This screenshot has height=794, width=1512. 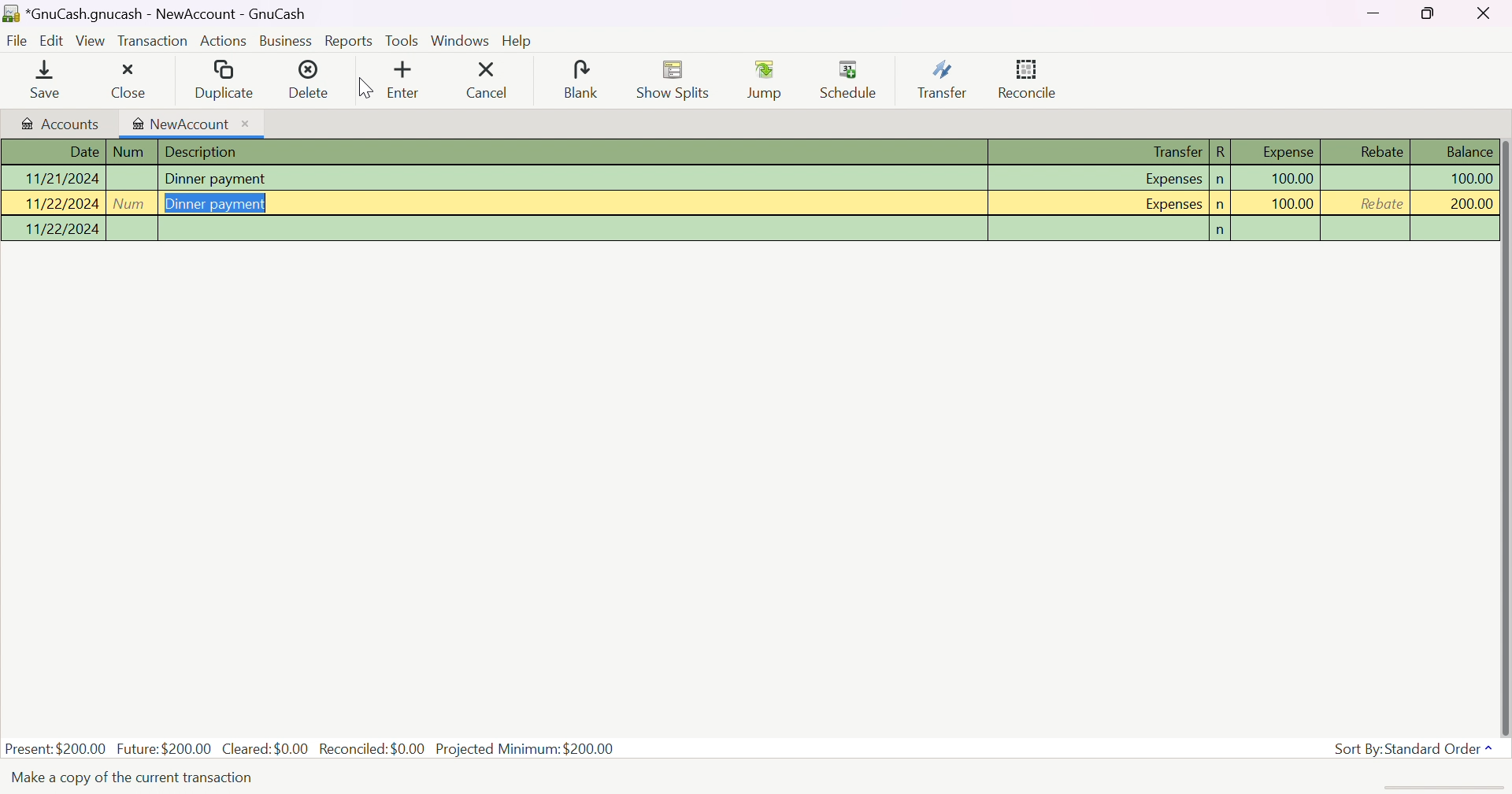 I want to click on *GnuCash.gnucash - NewAccount - GnuCash, so click(x=169, y=14).